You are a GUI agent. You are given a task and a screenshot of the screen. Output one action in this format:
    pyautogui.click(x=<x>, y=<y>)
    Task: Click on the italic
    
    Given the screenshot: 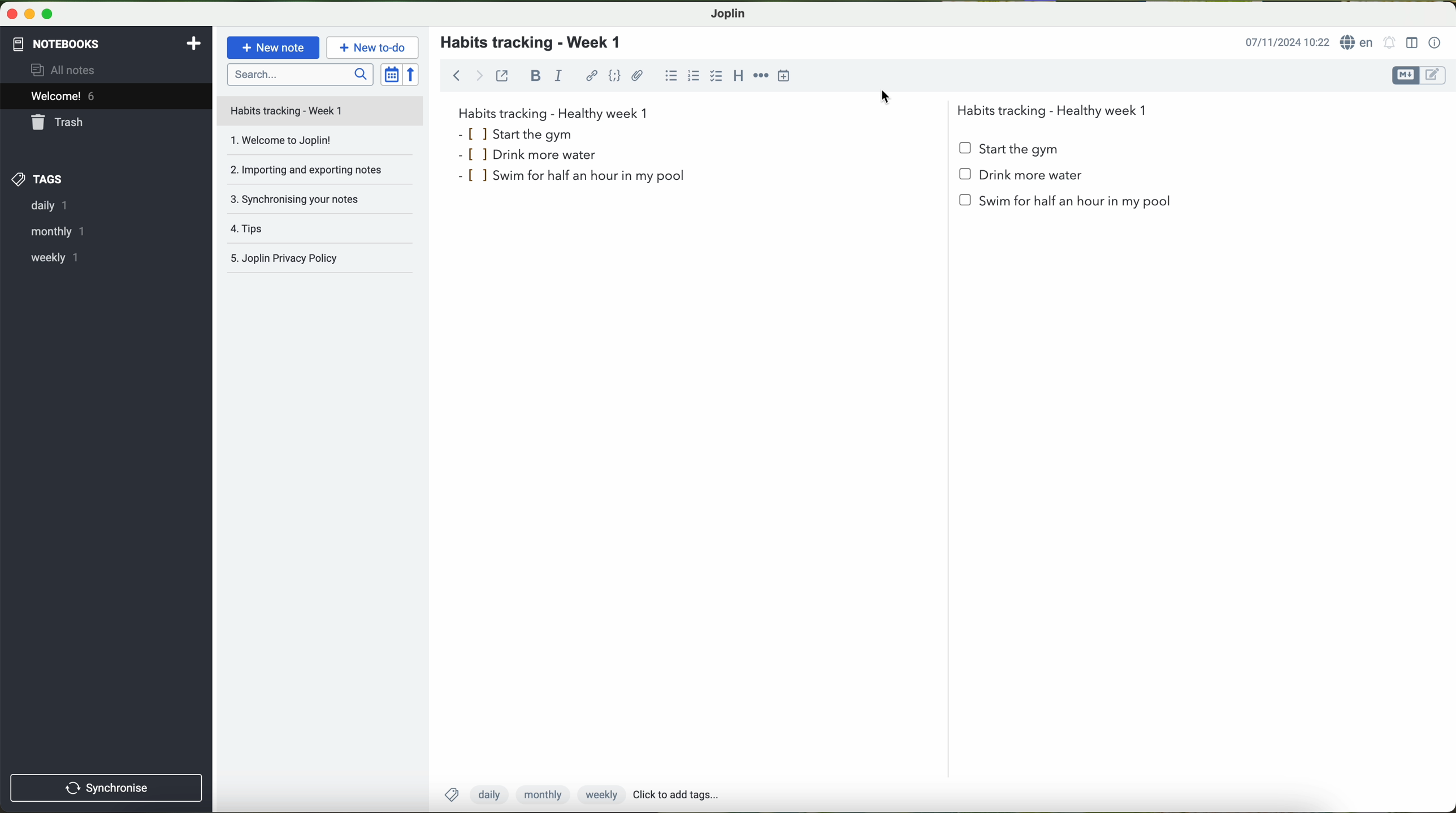 What is the action you would take?
    pyautogui.click(x=558, y=75)
    